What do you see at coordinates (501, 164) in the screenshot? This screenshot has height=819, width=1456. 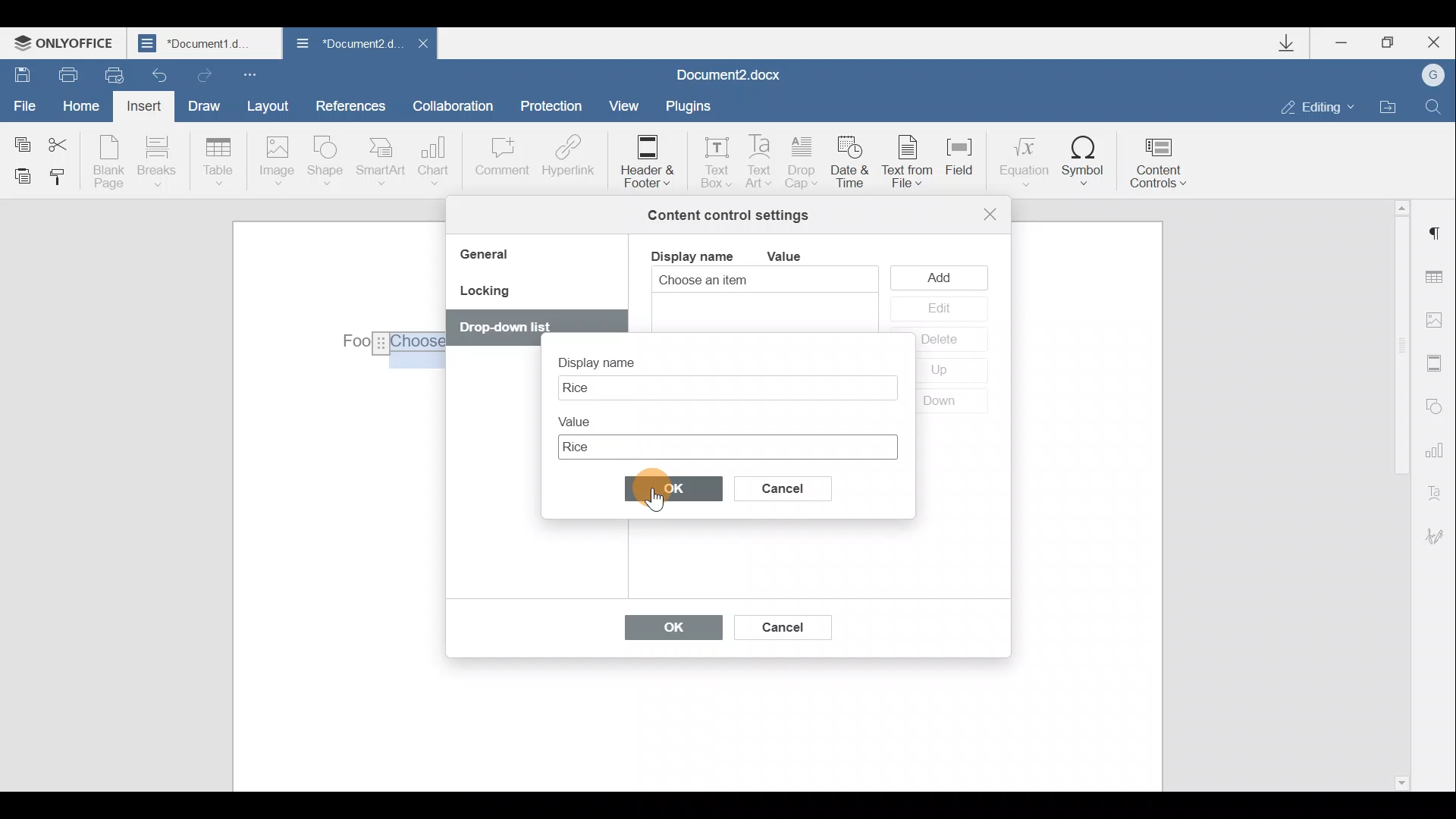 I see `Comment` at bounding box center [501, 164].